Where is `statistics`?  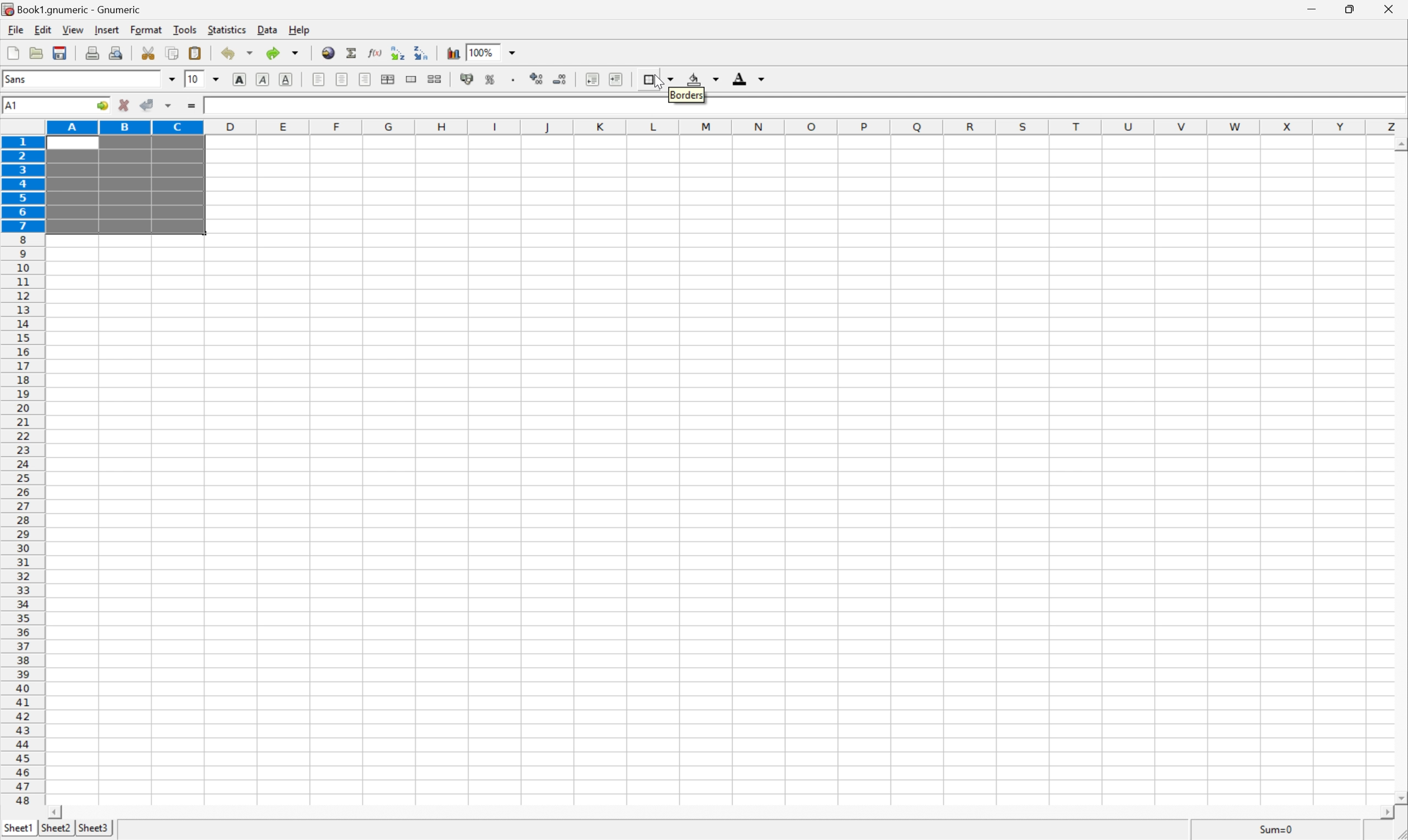
statistics is located at coordinates (227, 31).